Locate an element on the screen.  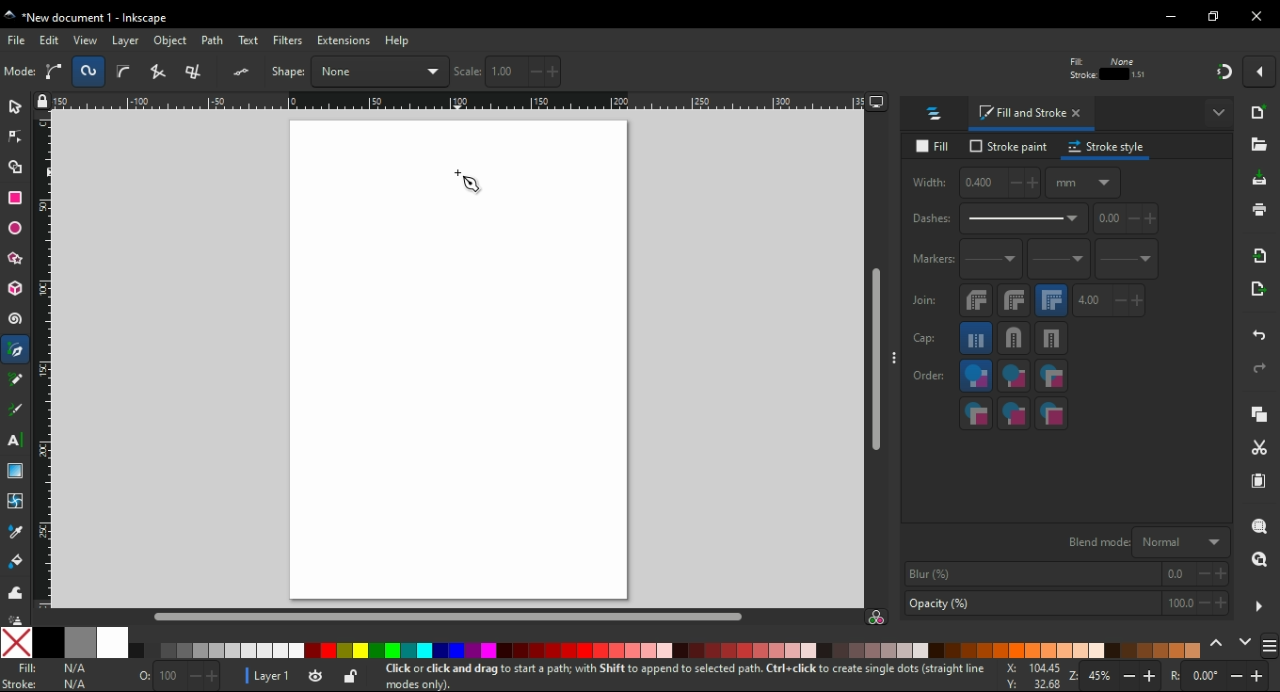
minimize is located at coordinates (1172, 17).